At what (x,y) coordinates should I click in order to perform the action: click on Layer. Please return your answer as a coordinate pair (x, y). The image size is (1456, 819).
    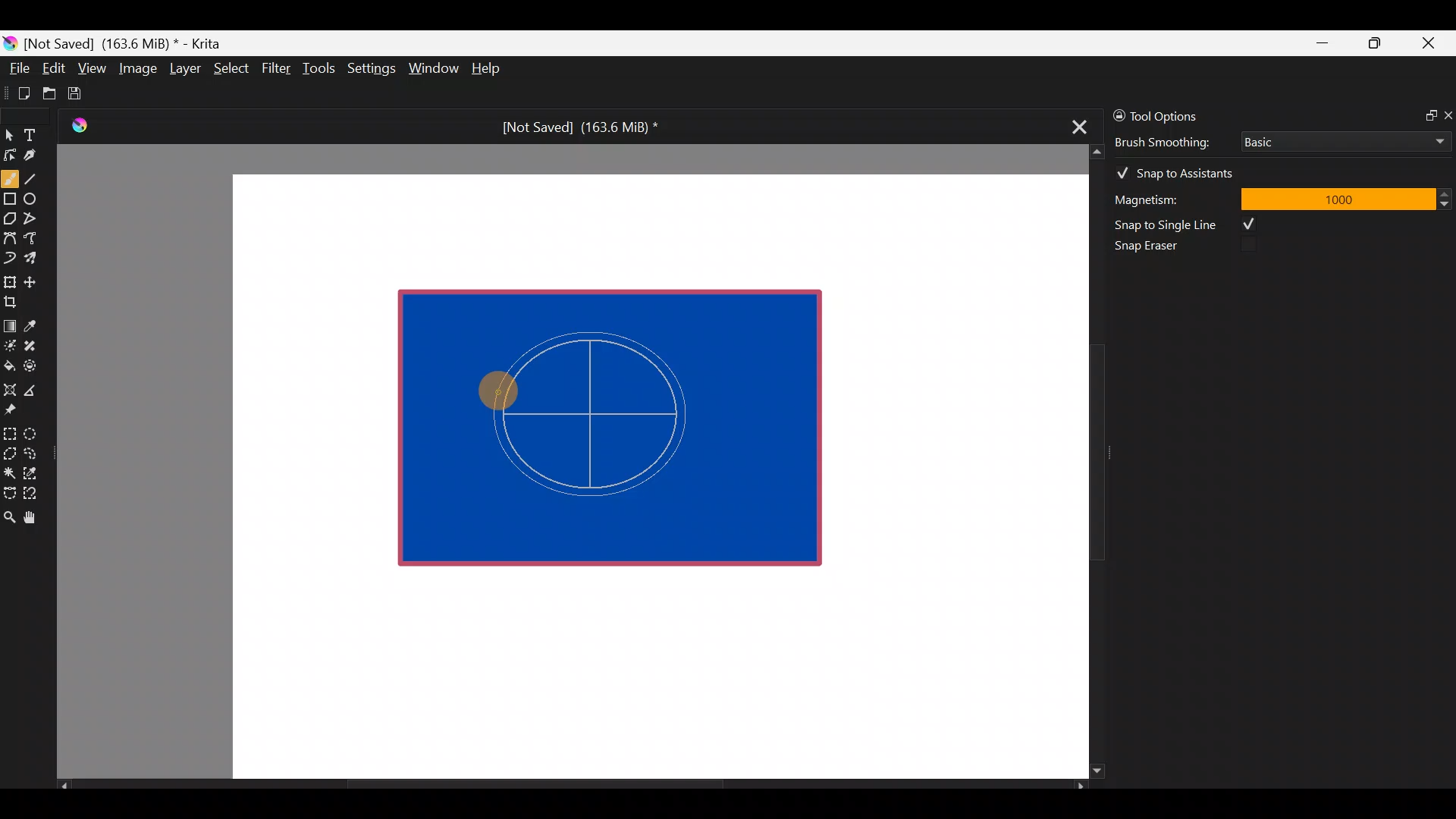
    Looking at the image, I should click on (184, 72).